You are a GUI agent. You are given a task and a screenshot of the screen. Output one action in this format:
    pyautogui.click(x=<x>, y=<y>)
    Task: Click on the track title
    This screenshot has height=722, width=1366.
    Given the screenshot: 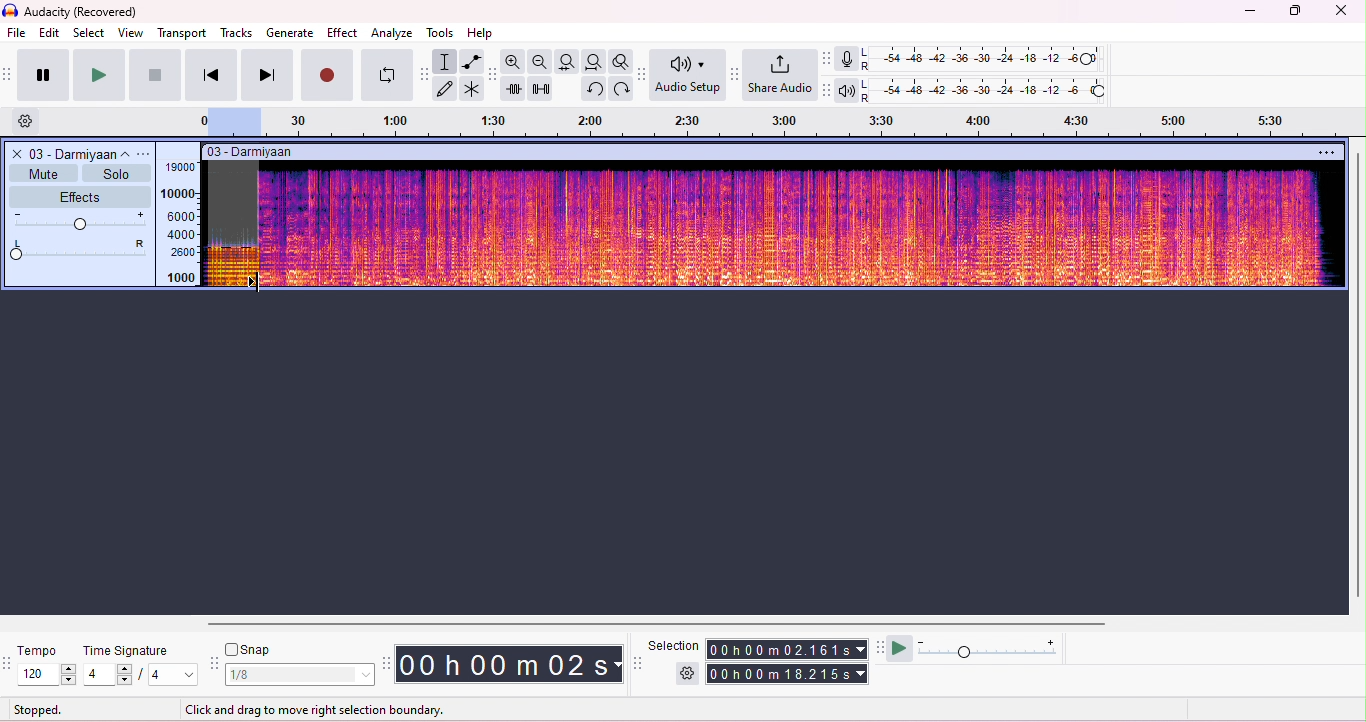 What is the action you would take?
    pyautogui.click(x=312, y=153)
    